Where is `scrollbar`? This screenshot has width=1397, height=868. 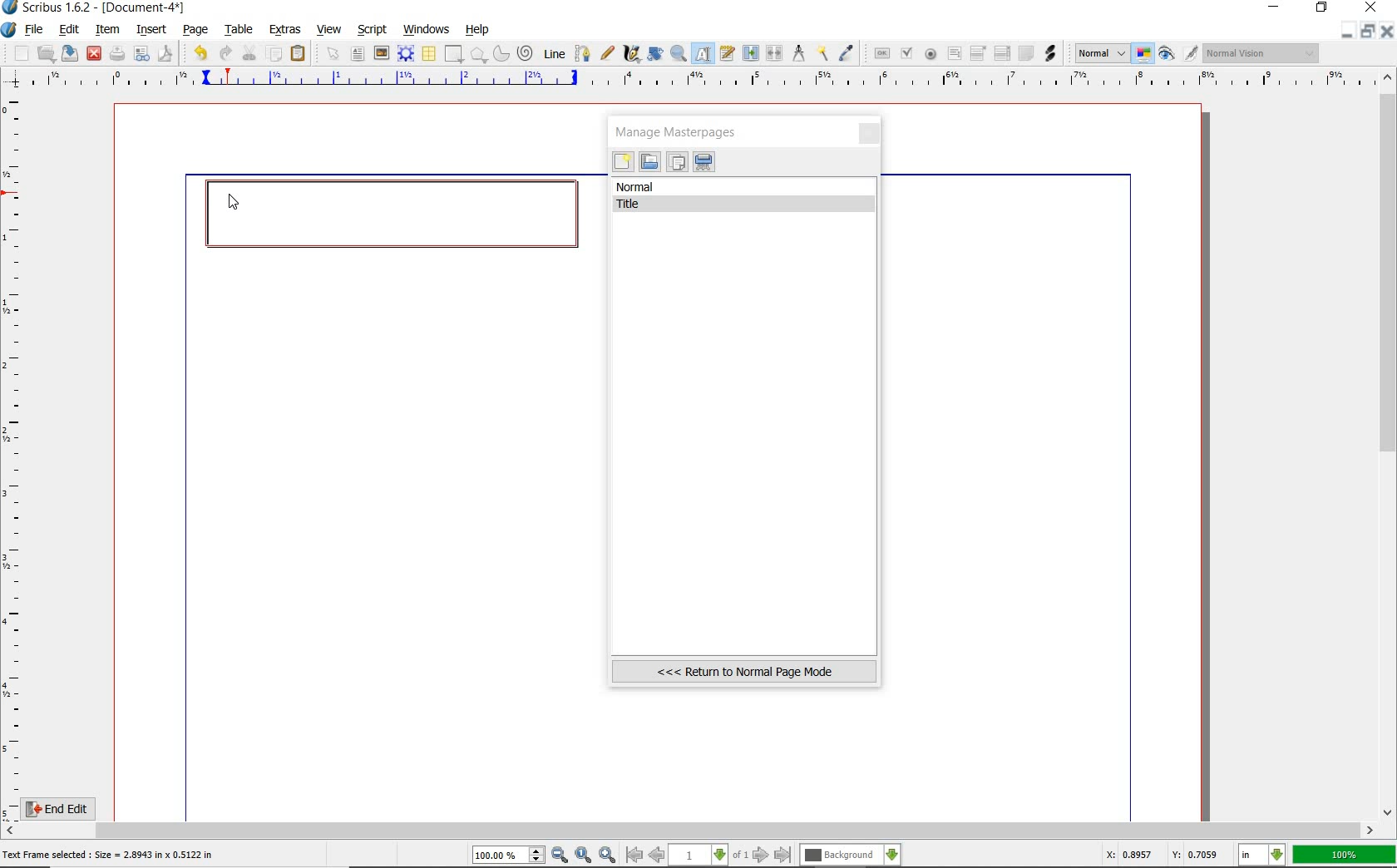 scrollbar is located at coordinates (690, 831).